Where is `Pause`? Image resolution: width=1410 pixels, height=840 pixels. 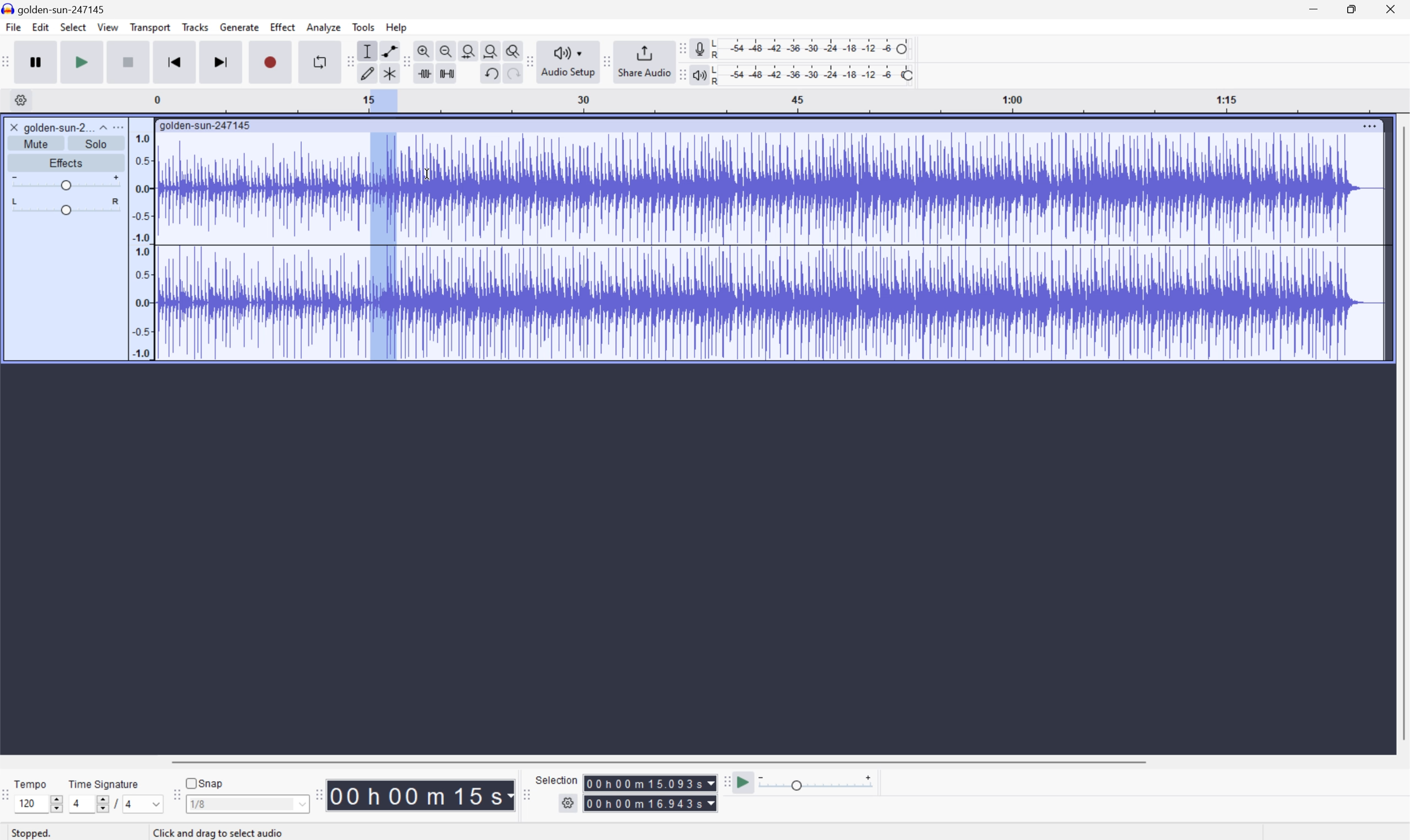
Pause is located at coordinates (35, 62).